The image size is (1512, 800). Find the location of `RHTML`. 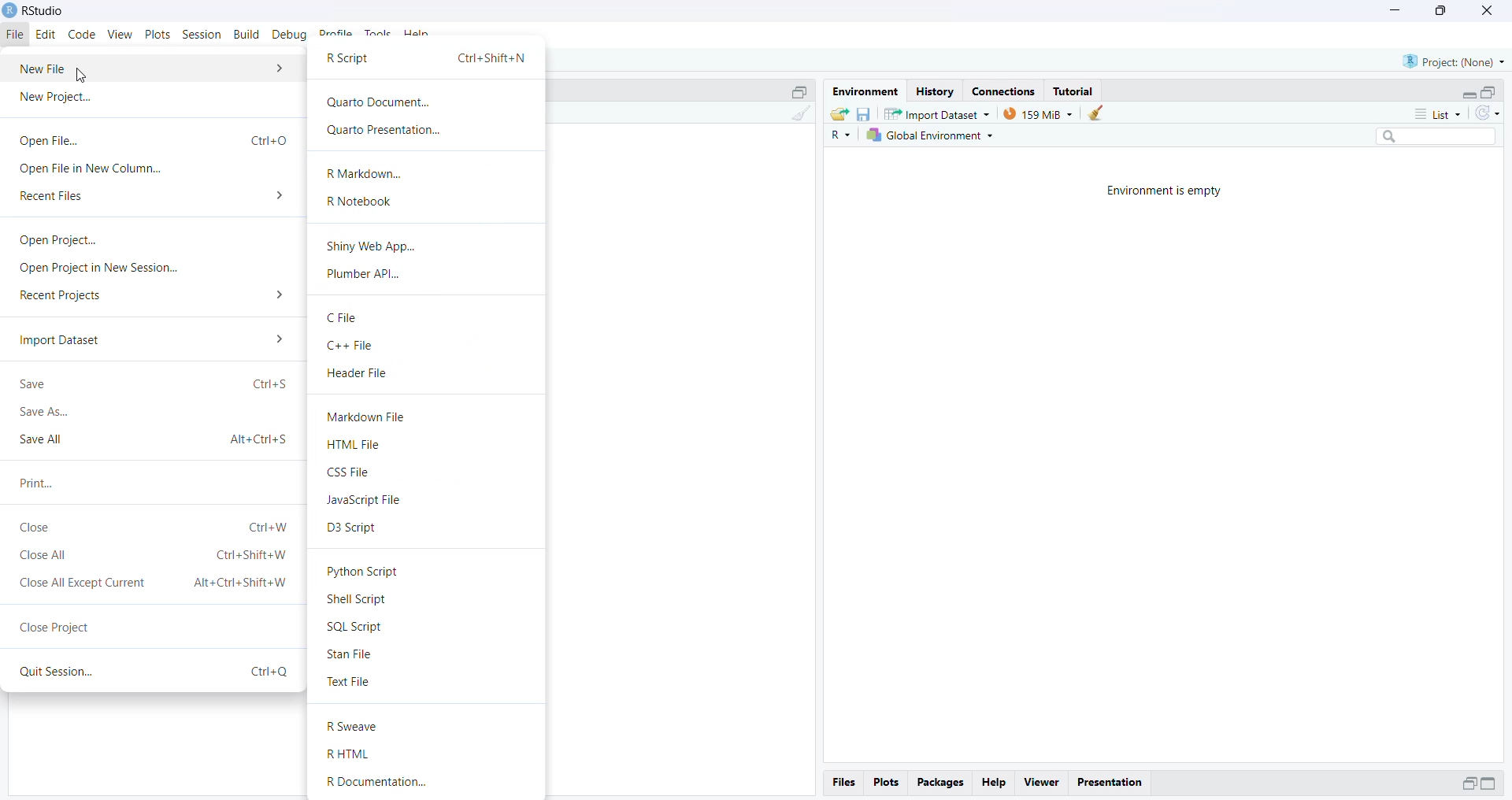

RHTML is located at coordinates (352, 754).